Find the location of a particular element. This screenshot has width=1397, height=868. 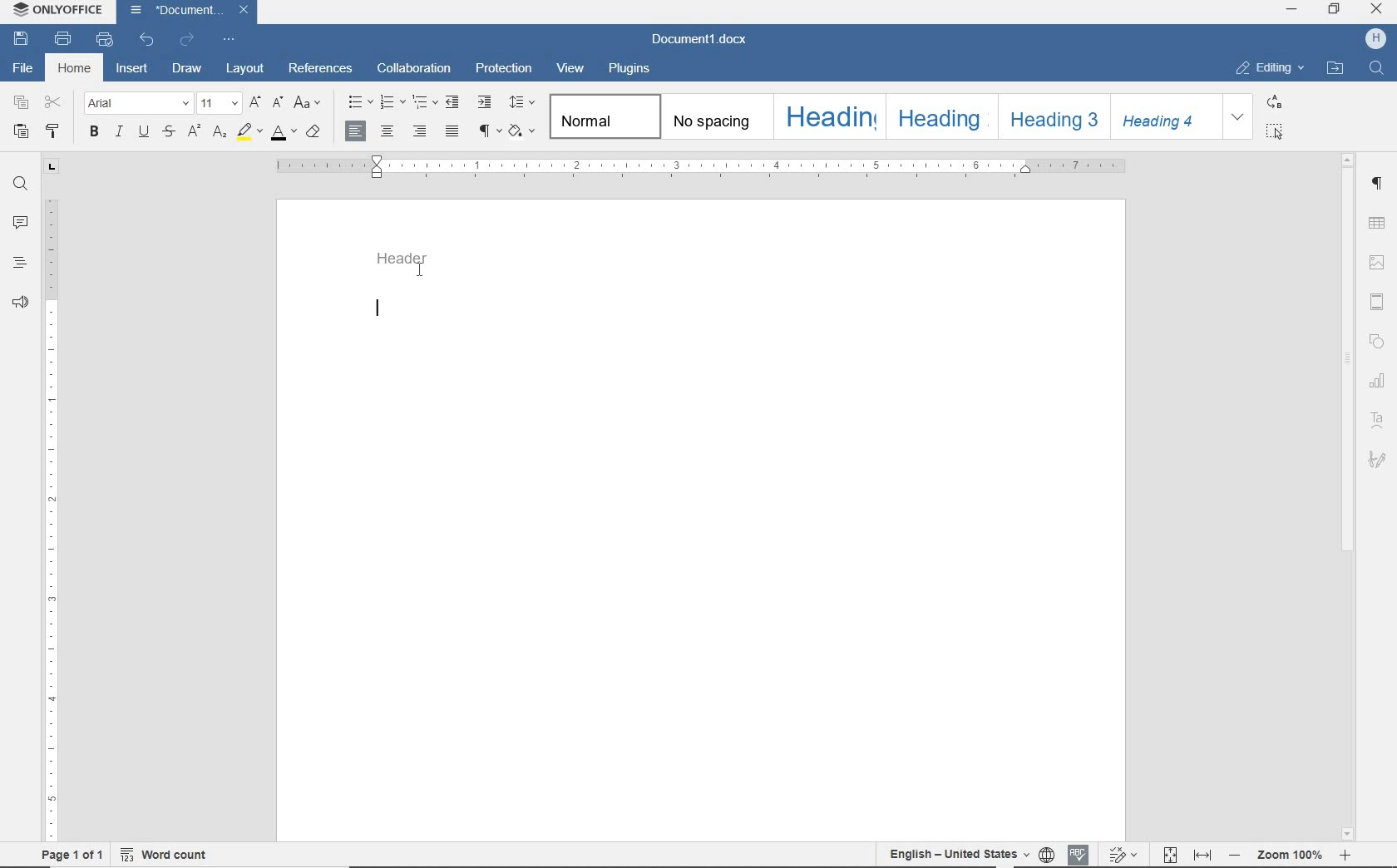

clear style is located at coordinates (313, 134).